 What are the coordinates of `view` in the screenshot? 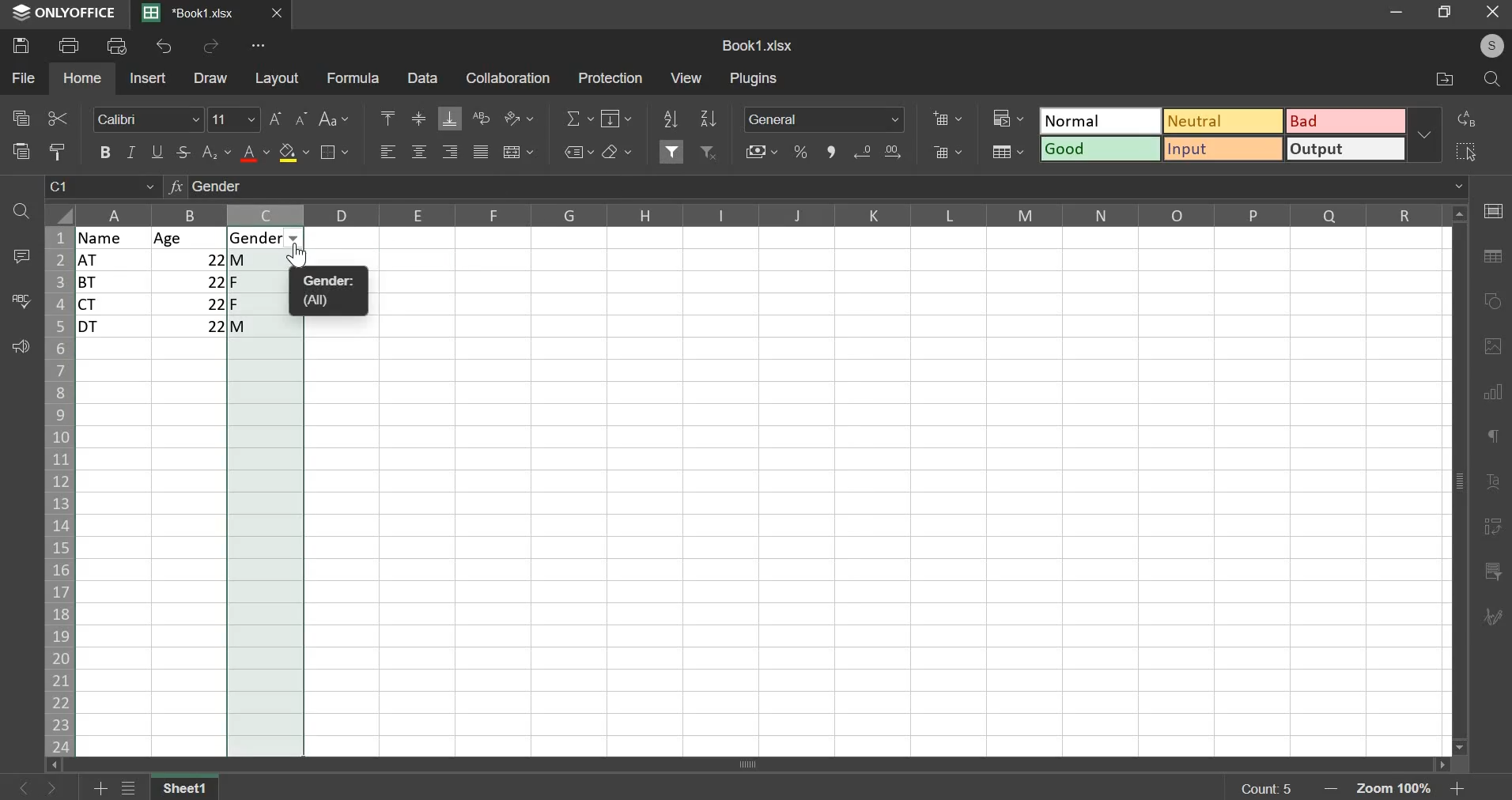 It's located at (686, 77).